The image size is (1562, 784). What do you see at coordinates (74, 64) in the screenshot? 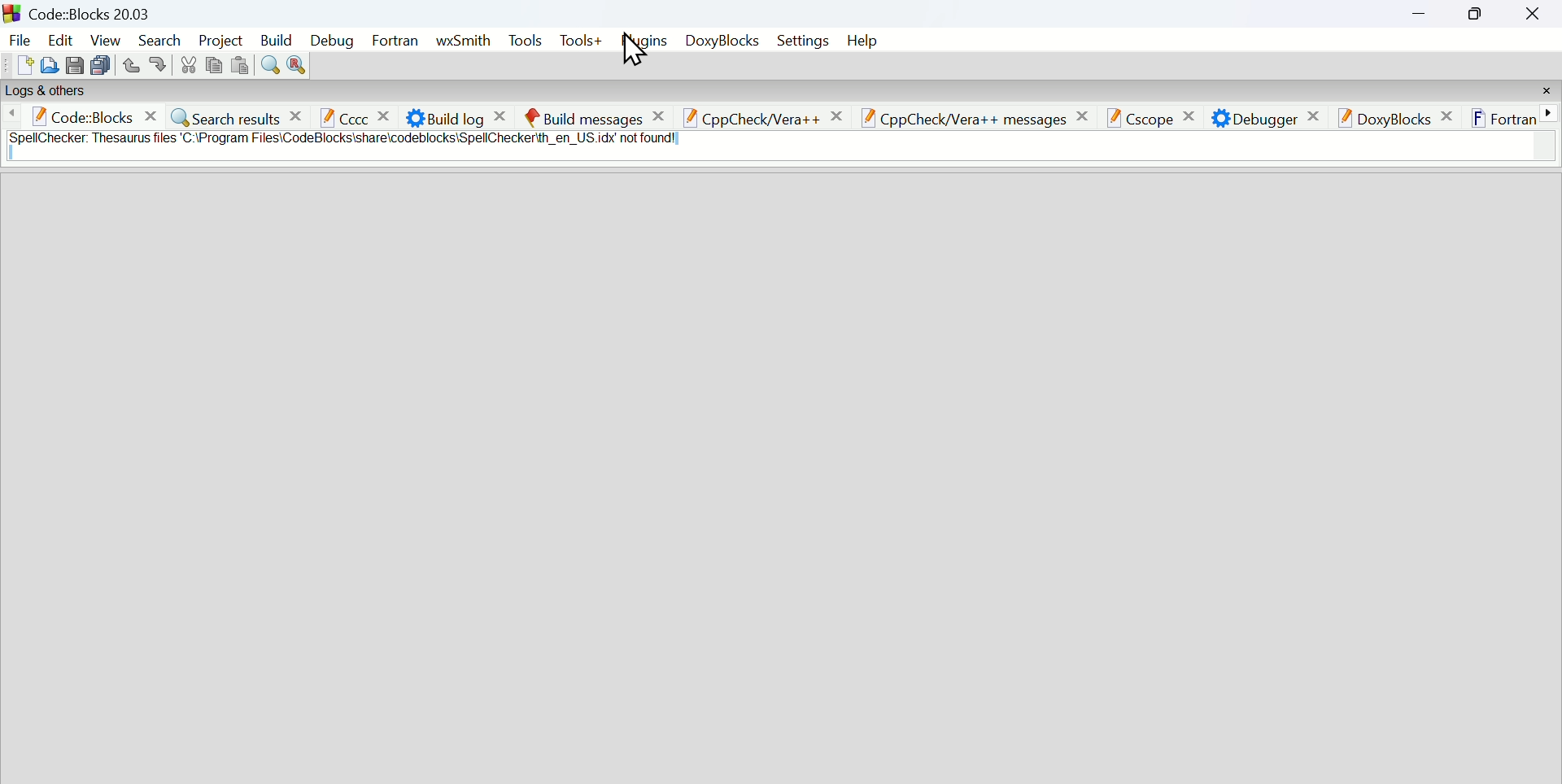
I see `Save file` at bounding box center [74, 64].